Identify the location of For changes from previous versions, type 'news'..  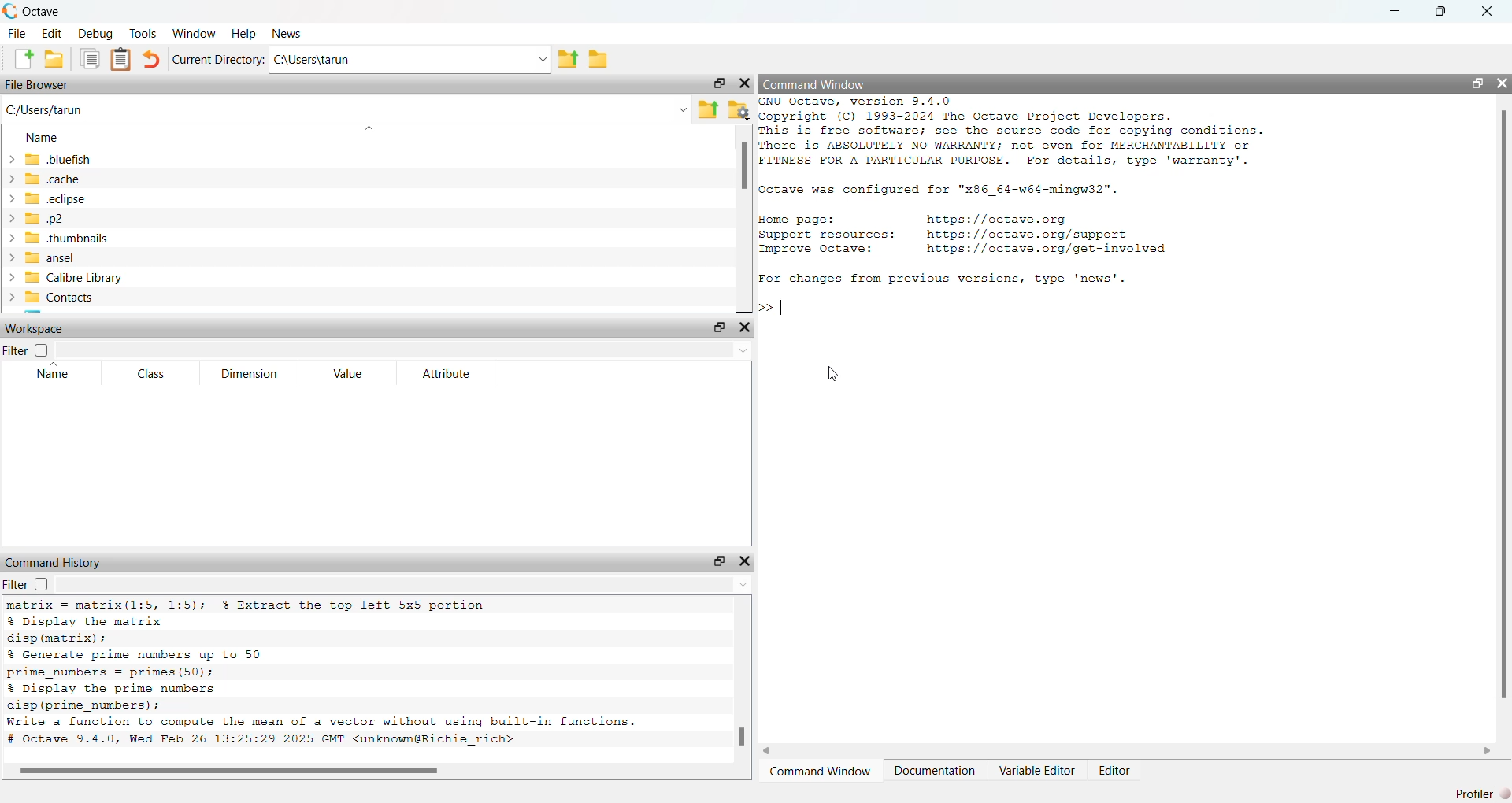
(943, 279).